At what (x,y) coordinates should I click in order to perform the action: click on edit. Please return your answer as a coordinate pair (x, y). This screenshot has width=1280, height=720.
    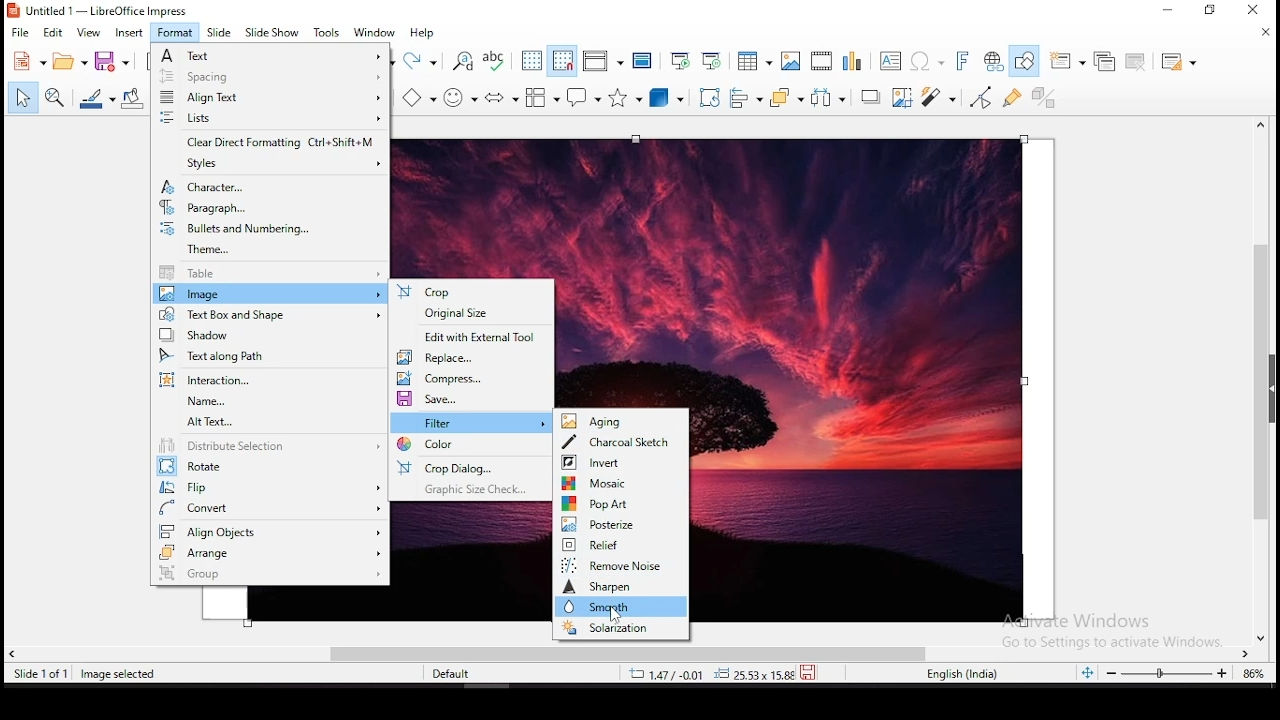
    Looking at the image, I should click on (55, 33).